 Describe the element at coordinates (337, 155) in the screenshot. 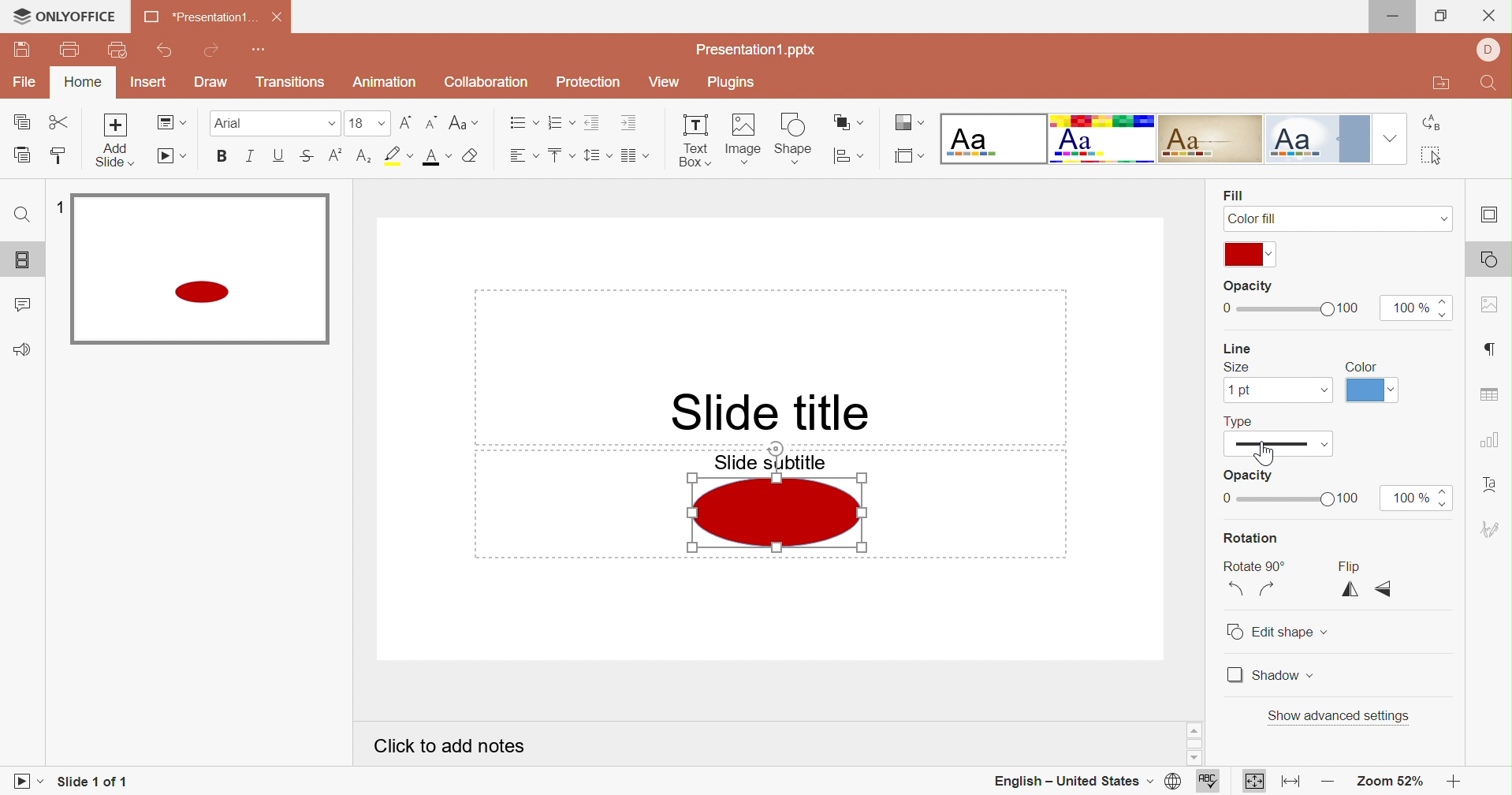

I see `Superscript` at that location.